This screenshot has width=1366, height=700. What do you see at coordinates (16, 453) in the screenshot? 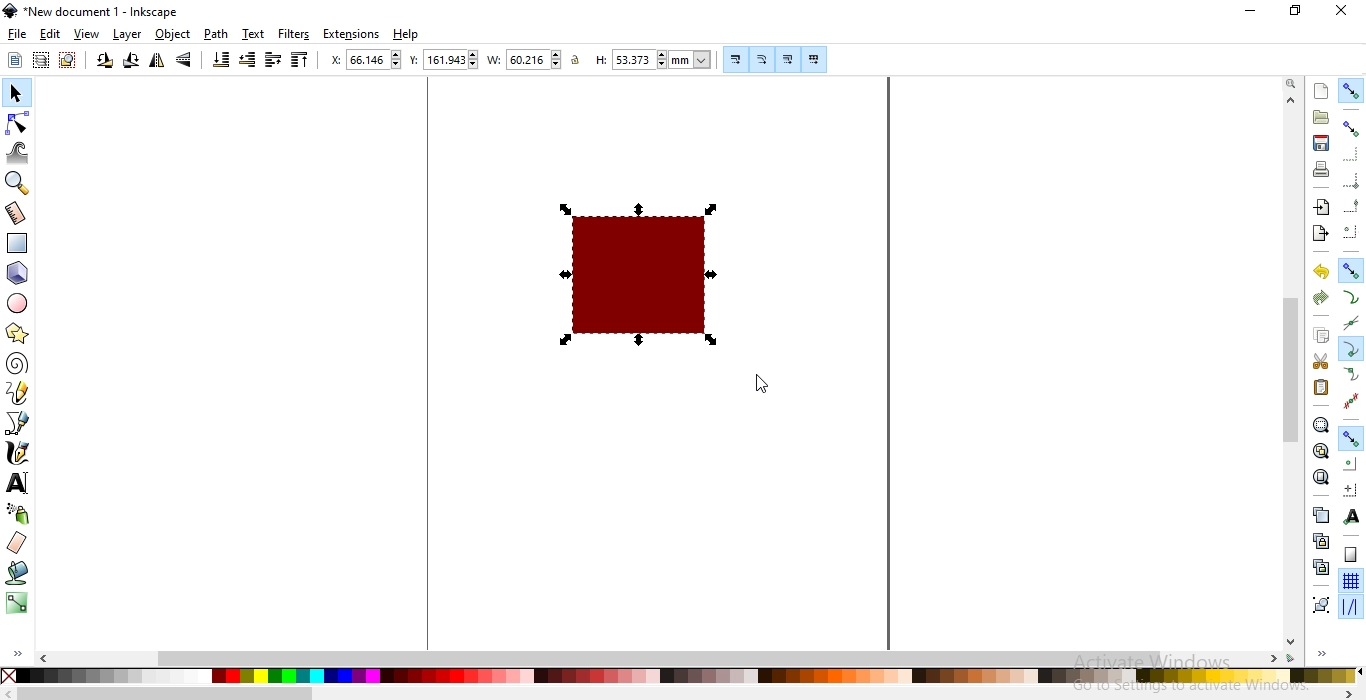
I see `draw calligraphic or brush strokes` at bounding box center [16, 453].